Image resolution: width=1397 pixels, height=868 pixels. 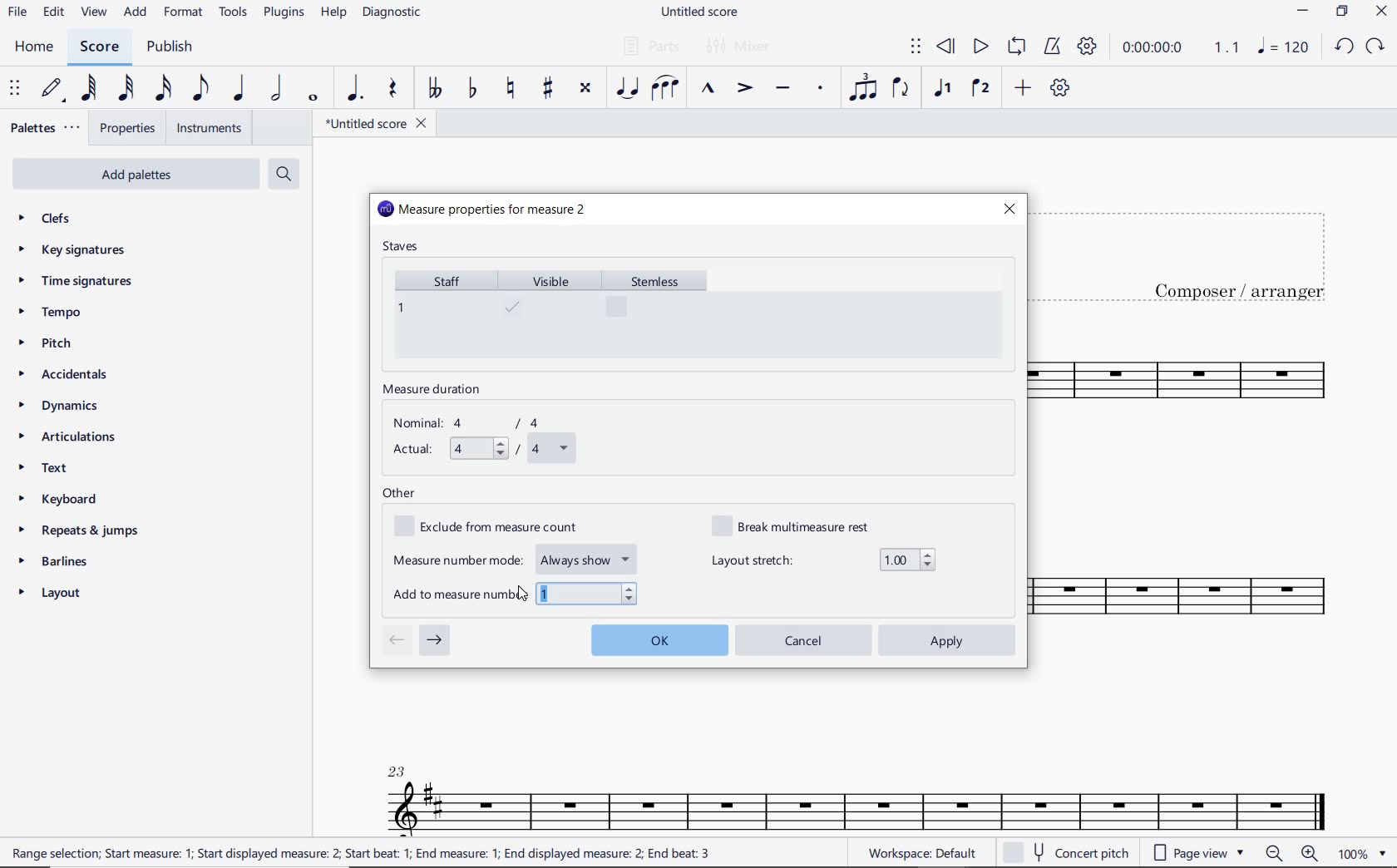 What do you see at coordinates (68, 438) in the screenshot?
I see `ARTICULATIONS` at bounding box center [68, 438].